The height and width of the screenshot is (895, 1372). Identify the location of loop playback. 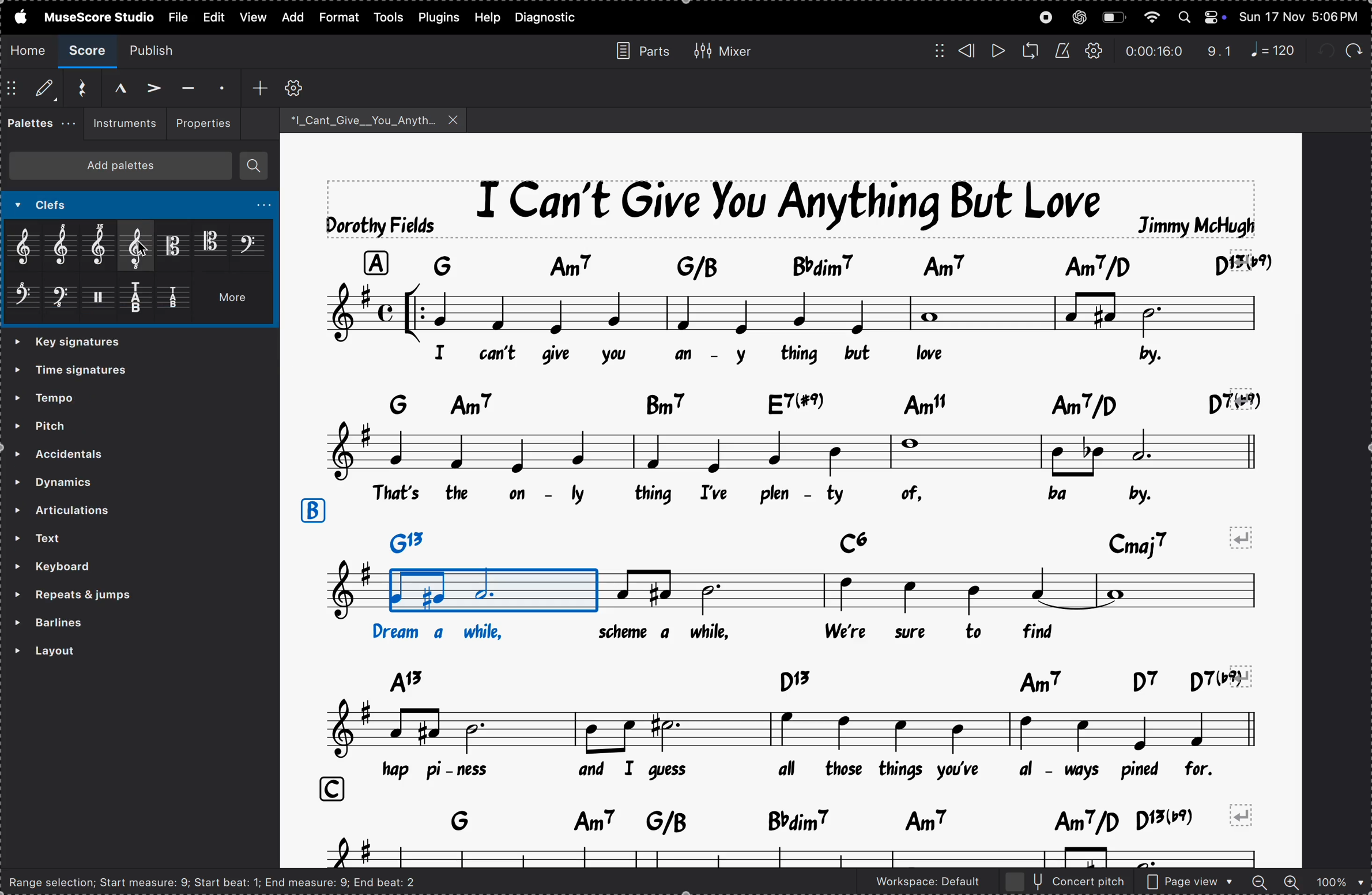
(1030, 51).